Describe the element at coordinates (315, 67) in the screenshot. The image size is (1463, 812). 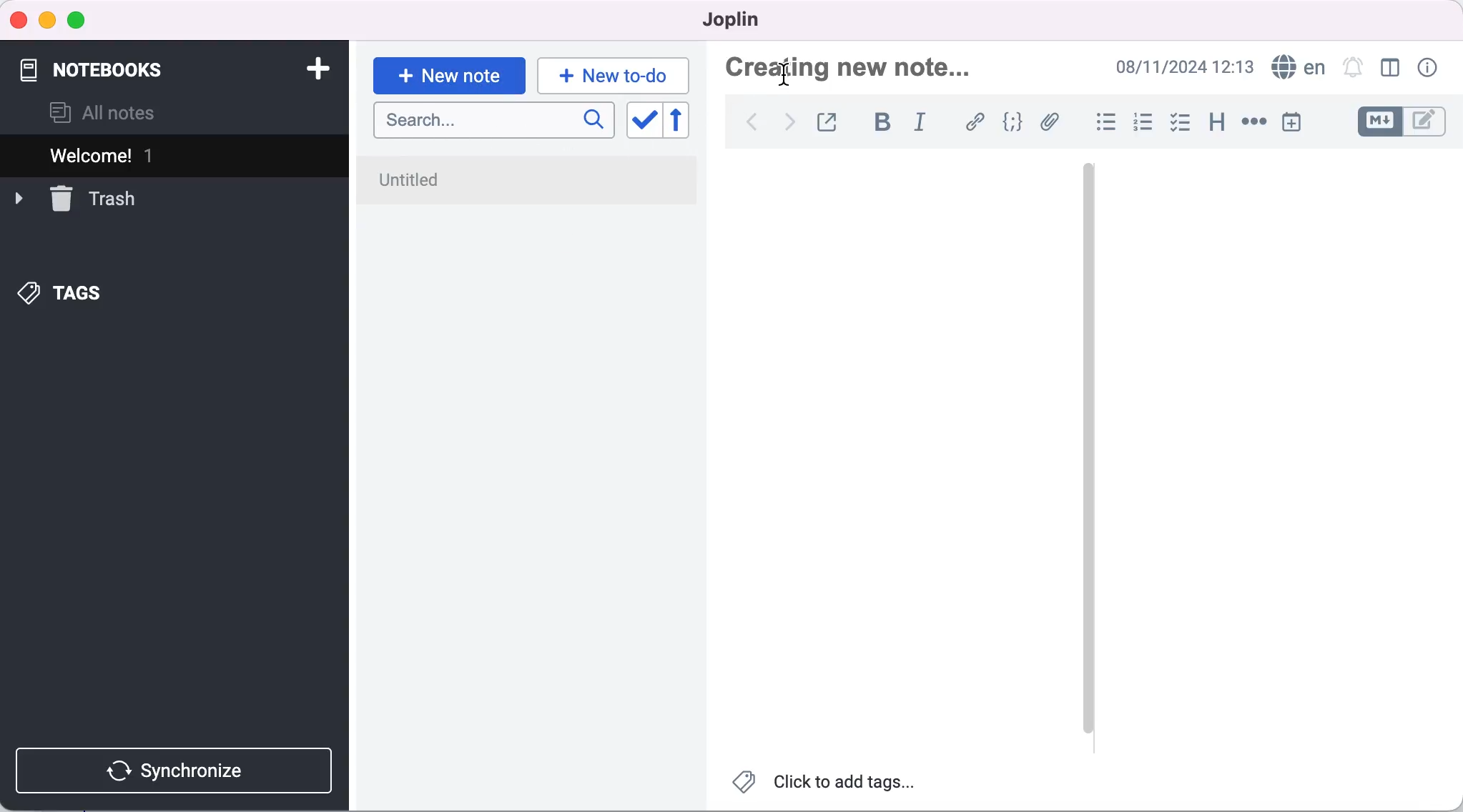
I see `add notebook` at that location.